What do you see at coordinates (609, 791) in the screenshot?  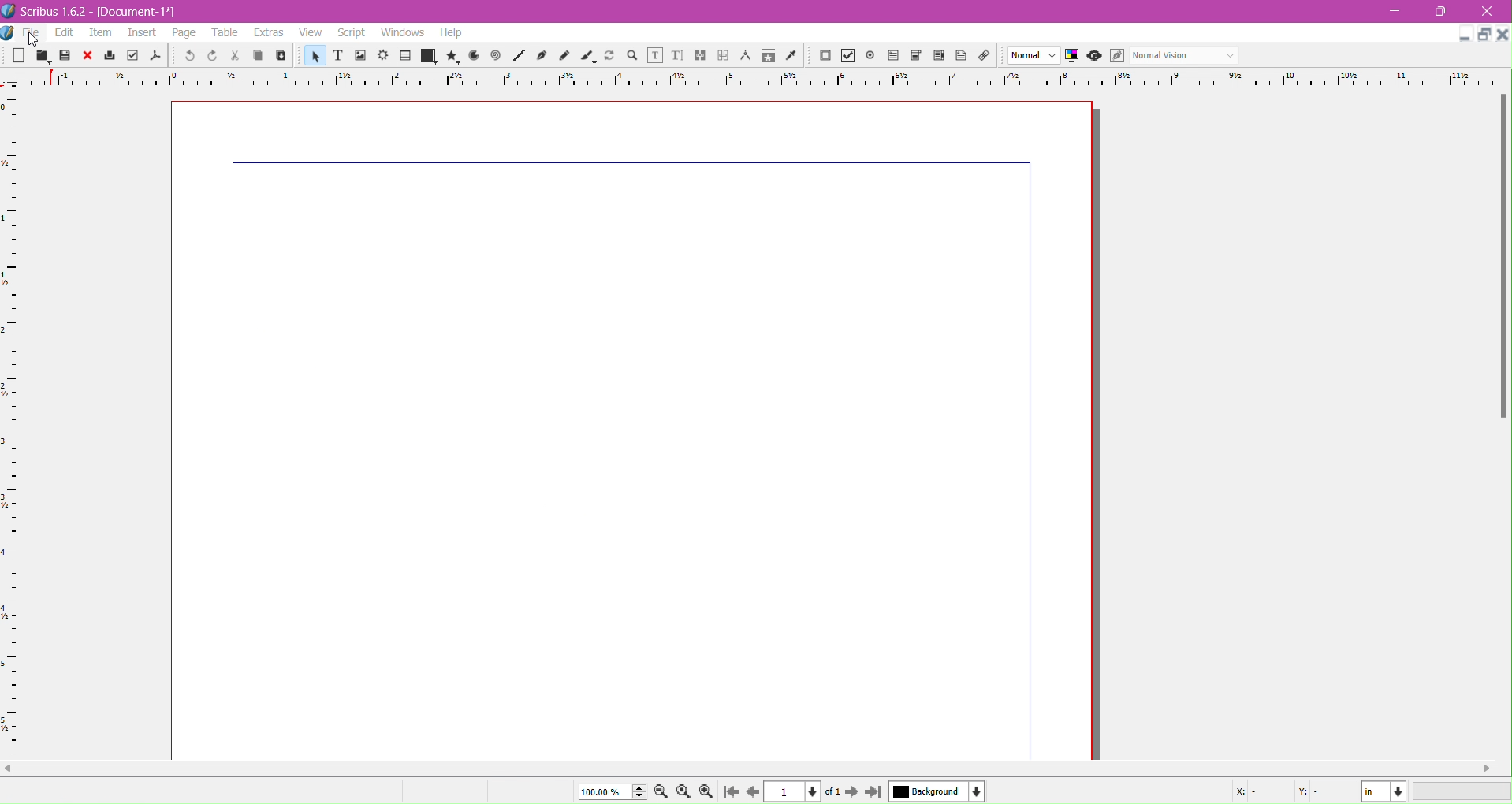 I see `100.00%` at bounding box center [609, 791].